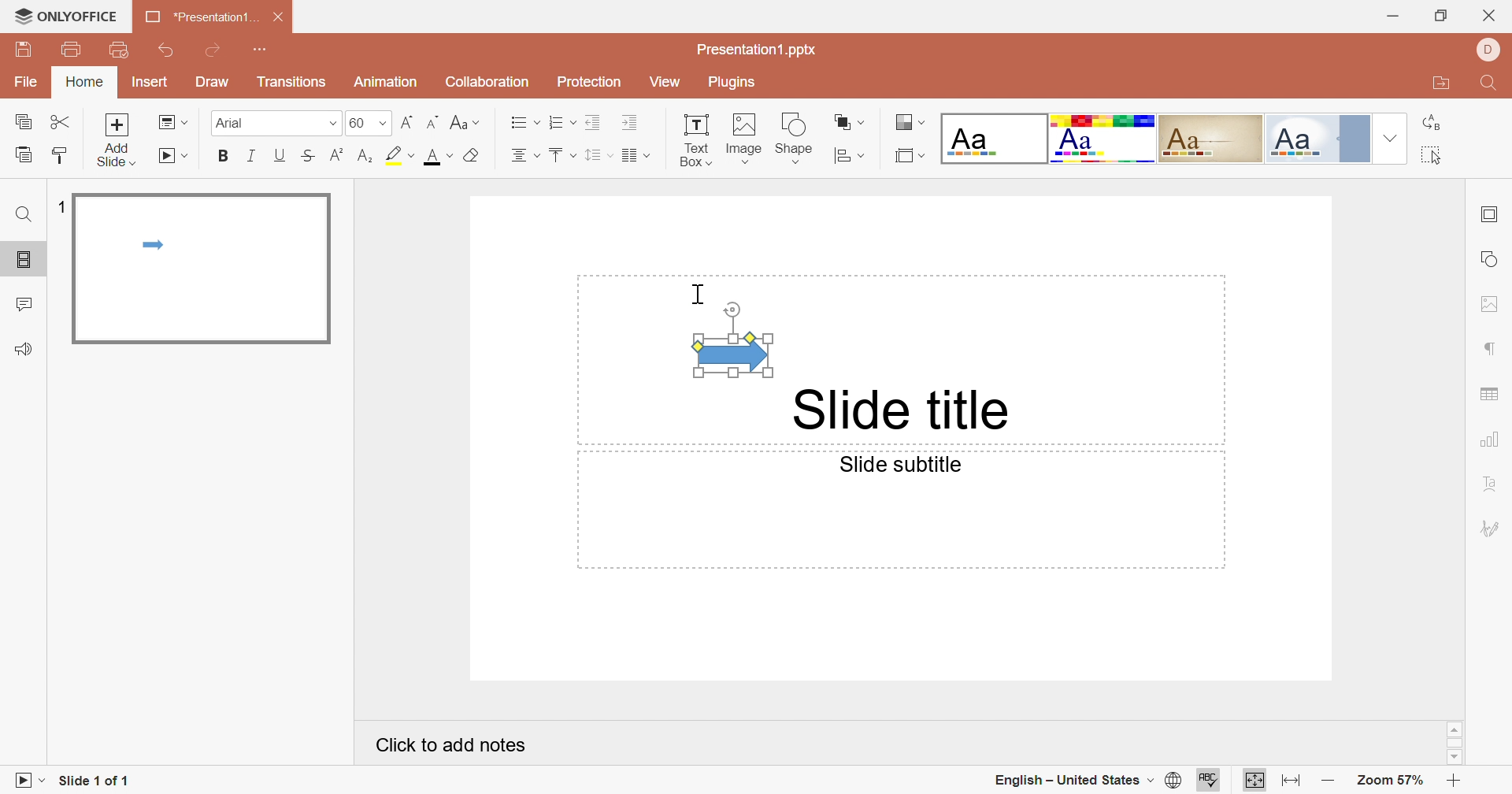  Describe the element at coordinates (22, 154) in the screenshot. I see `Paste` at that location.